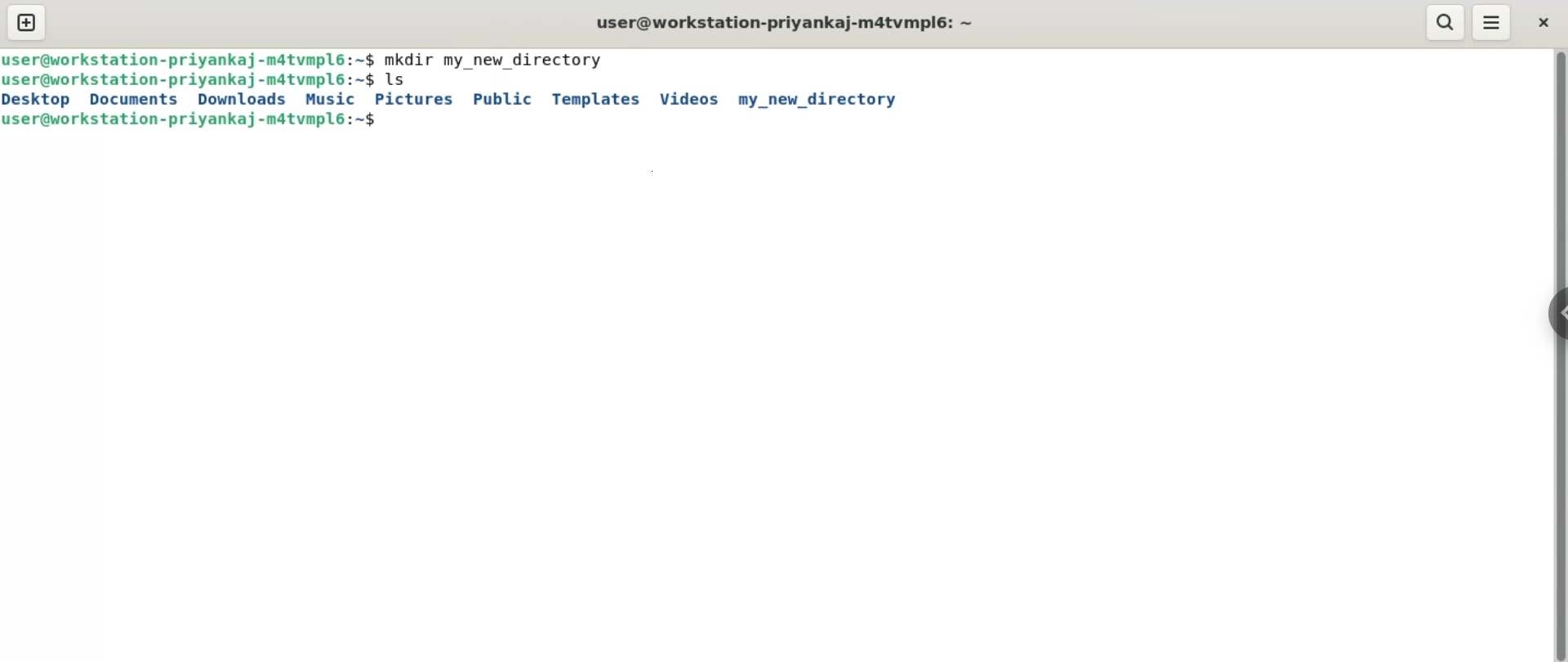  I want to click on my_new_directory, so click(820, 101).